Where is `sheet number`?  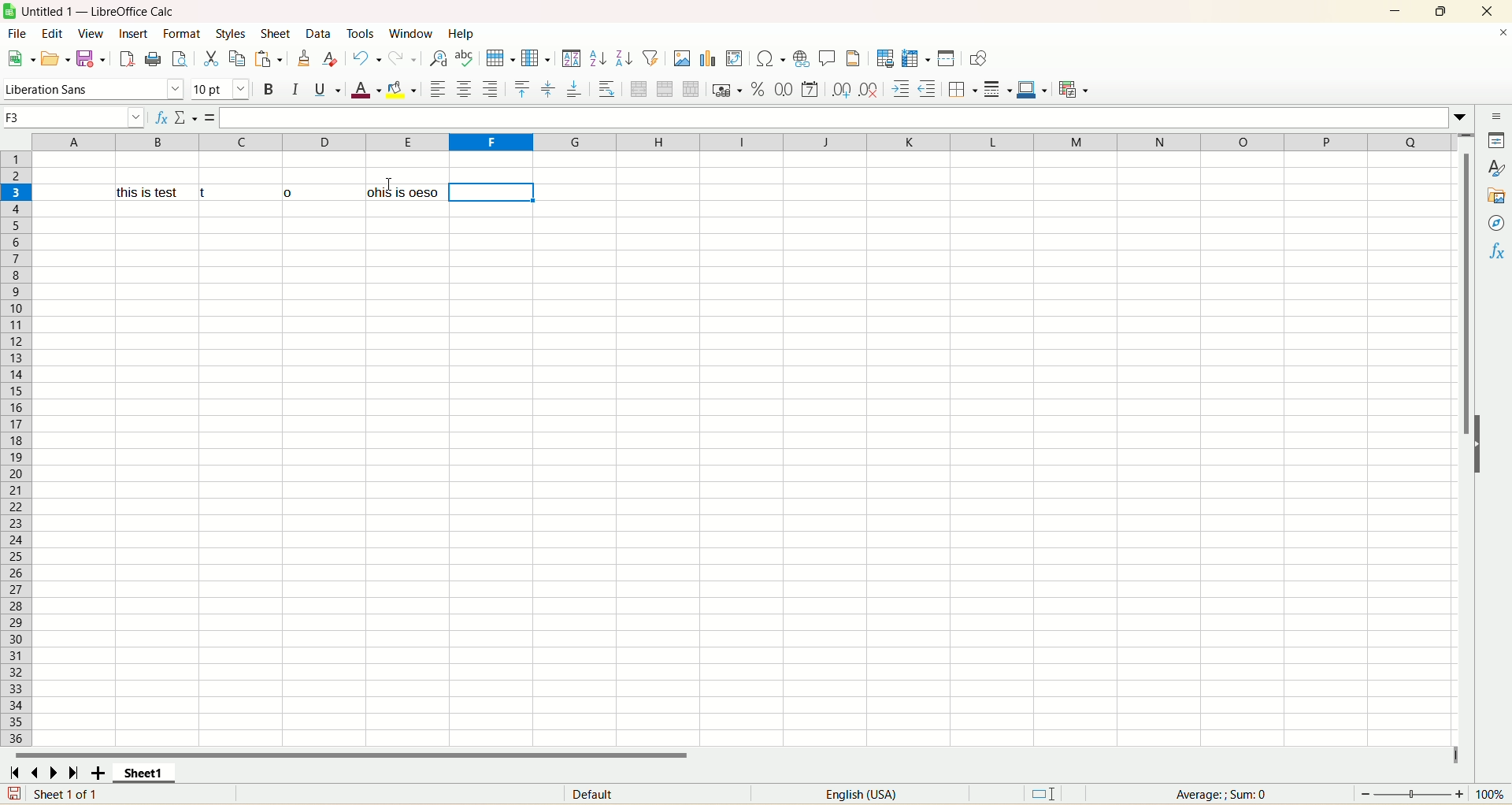
sheet number is located at coordinates (77, 796).